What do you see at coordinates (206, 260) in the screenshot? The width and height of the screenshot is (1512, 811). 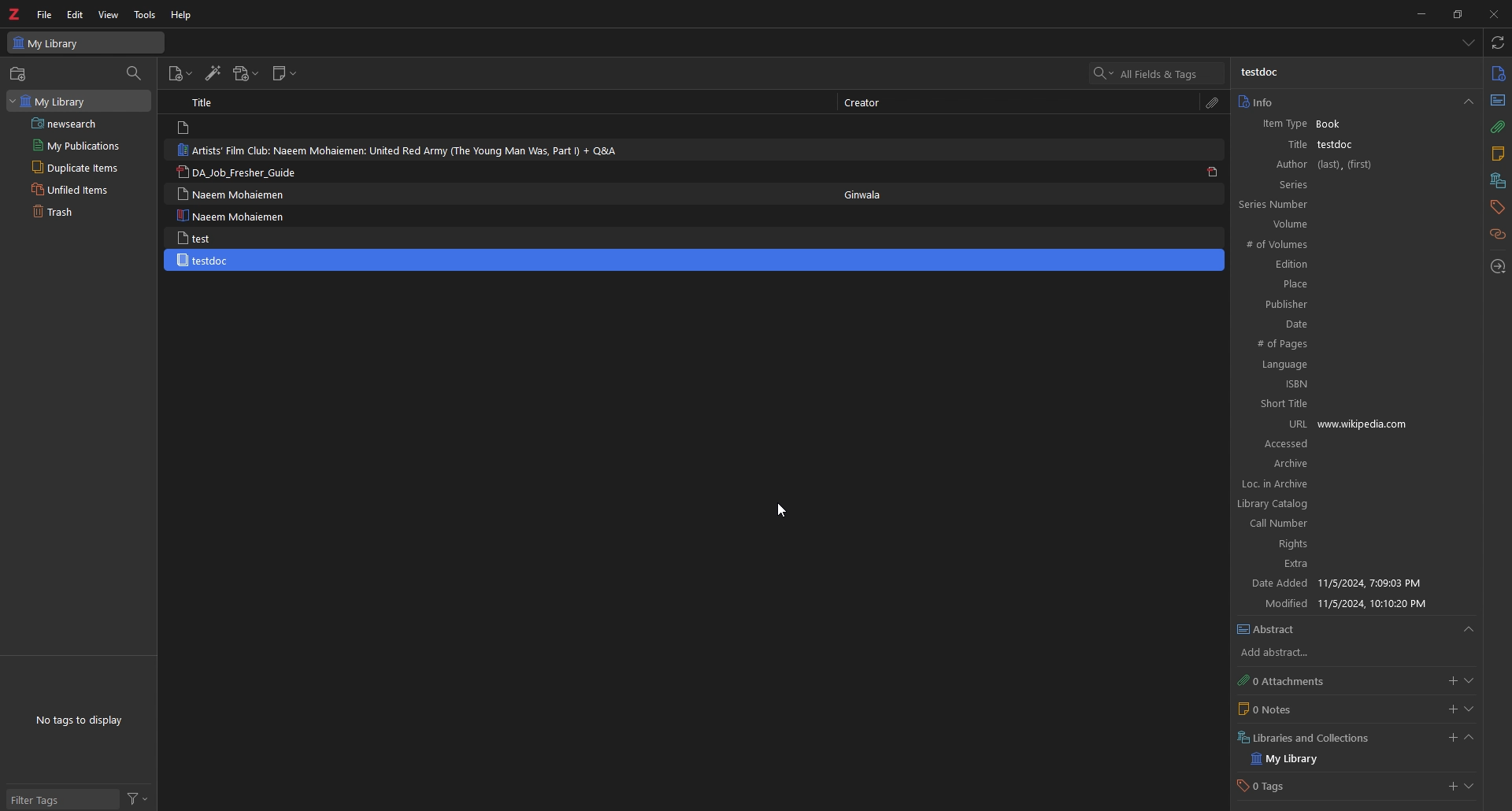 I see `testdoc` at bounding box center [206, 260].